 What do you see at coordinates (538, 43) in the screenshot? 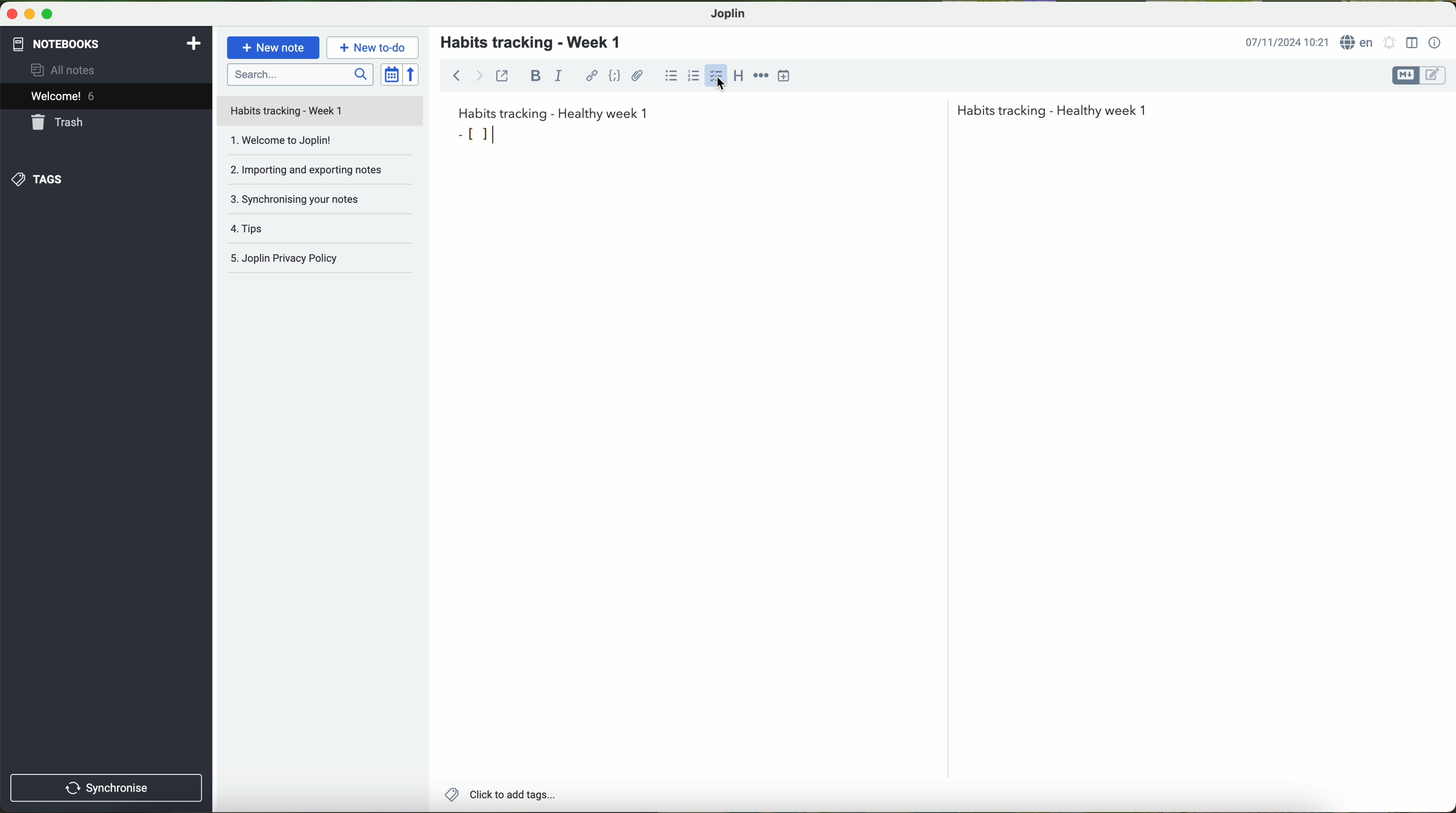
I see `habits tracking - week 1` at bounding box center [538, 43].